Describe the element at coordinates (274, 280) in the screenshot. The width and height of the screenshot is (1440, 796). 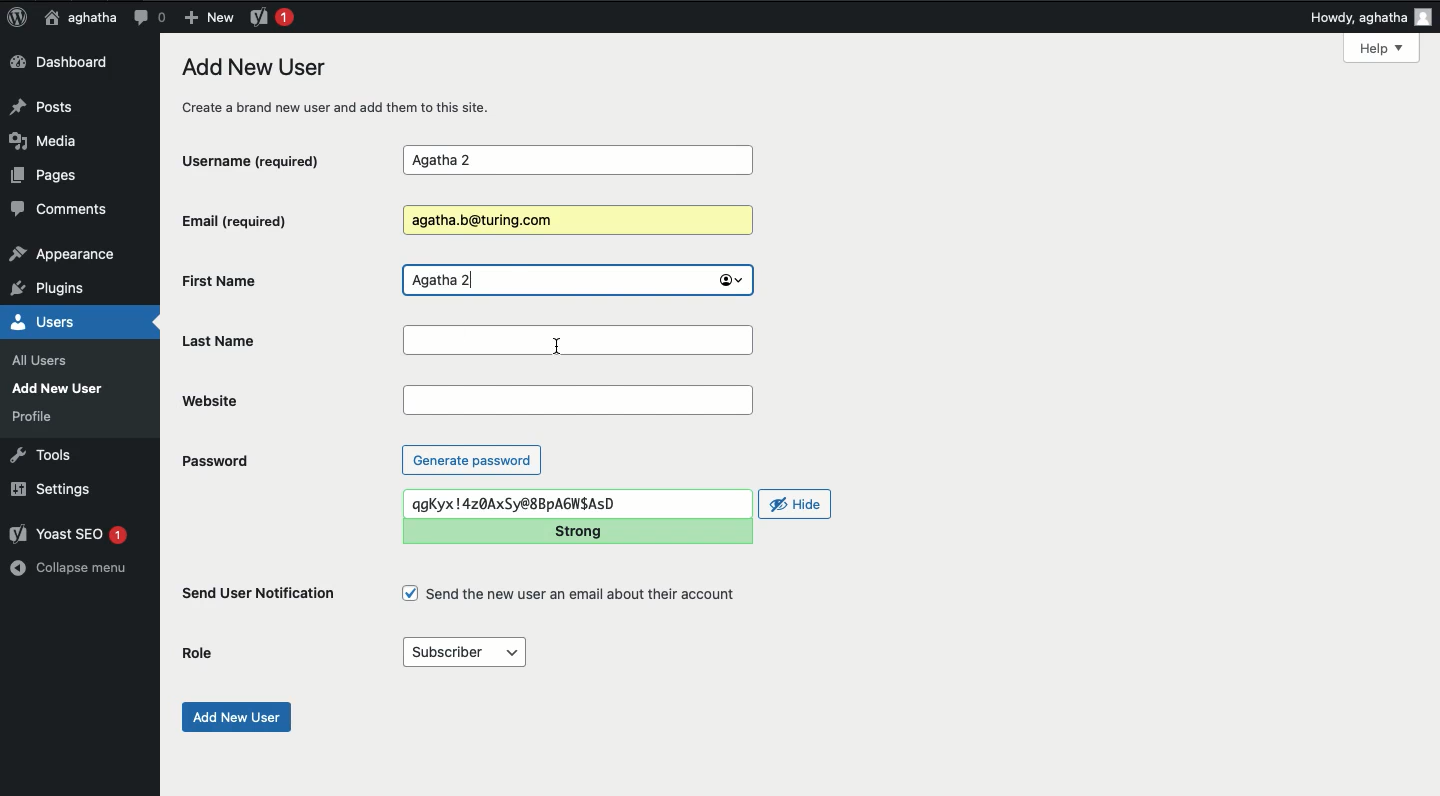
I see `First Name` at that location.